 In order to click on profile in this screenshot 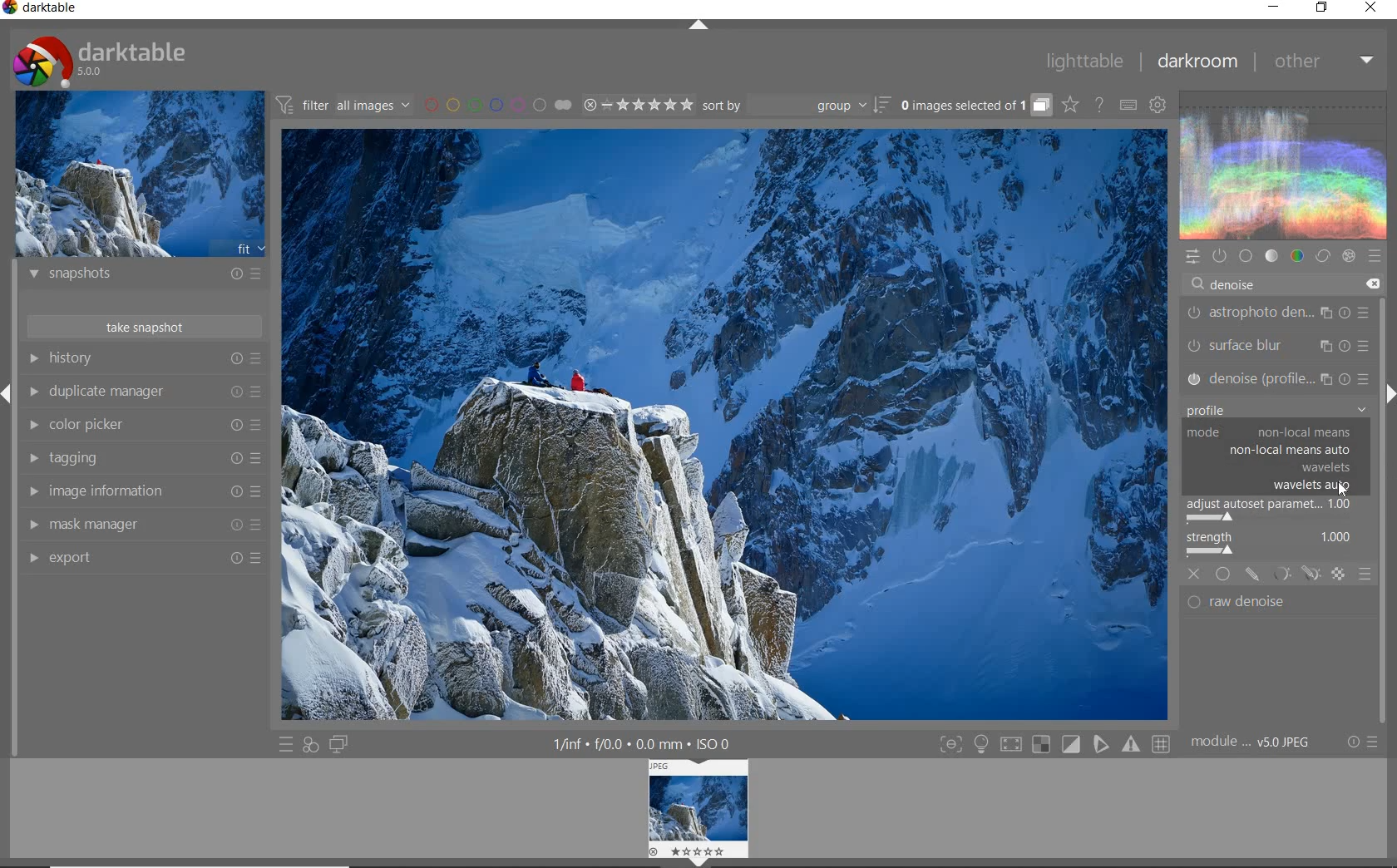, I will do `click(1276, 411)`.